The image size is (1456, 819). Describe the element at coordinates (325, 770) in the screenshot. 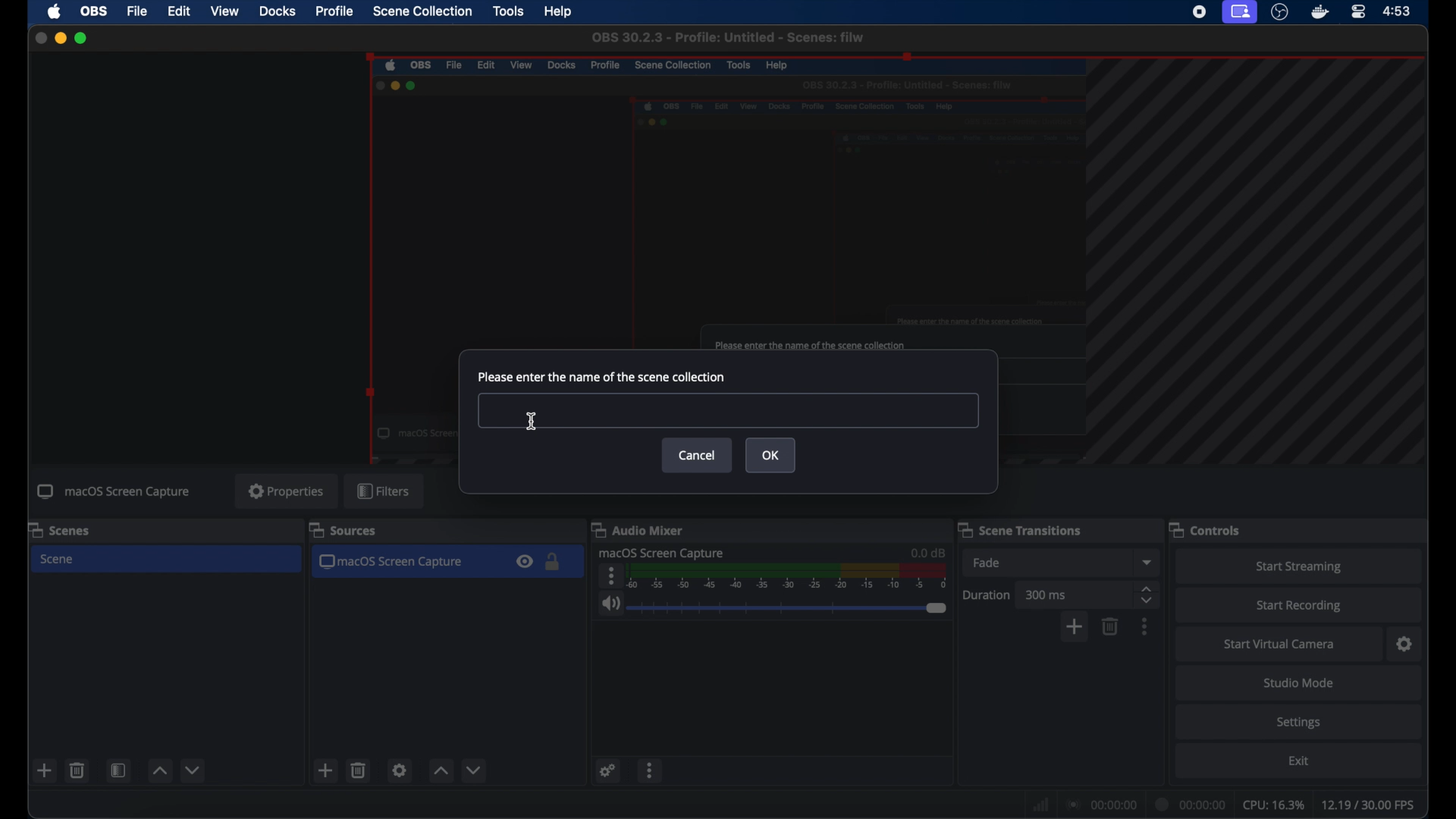

I see `add scene` at that location.